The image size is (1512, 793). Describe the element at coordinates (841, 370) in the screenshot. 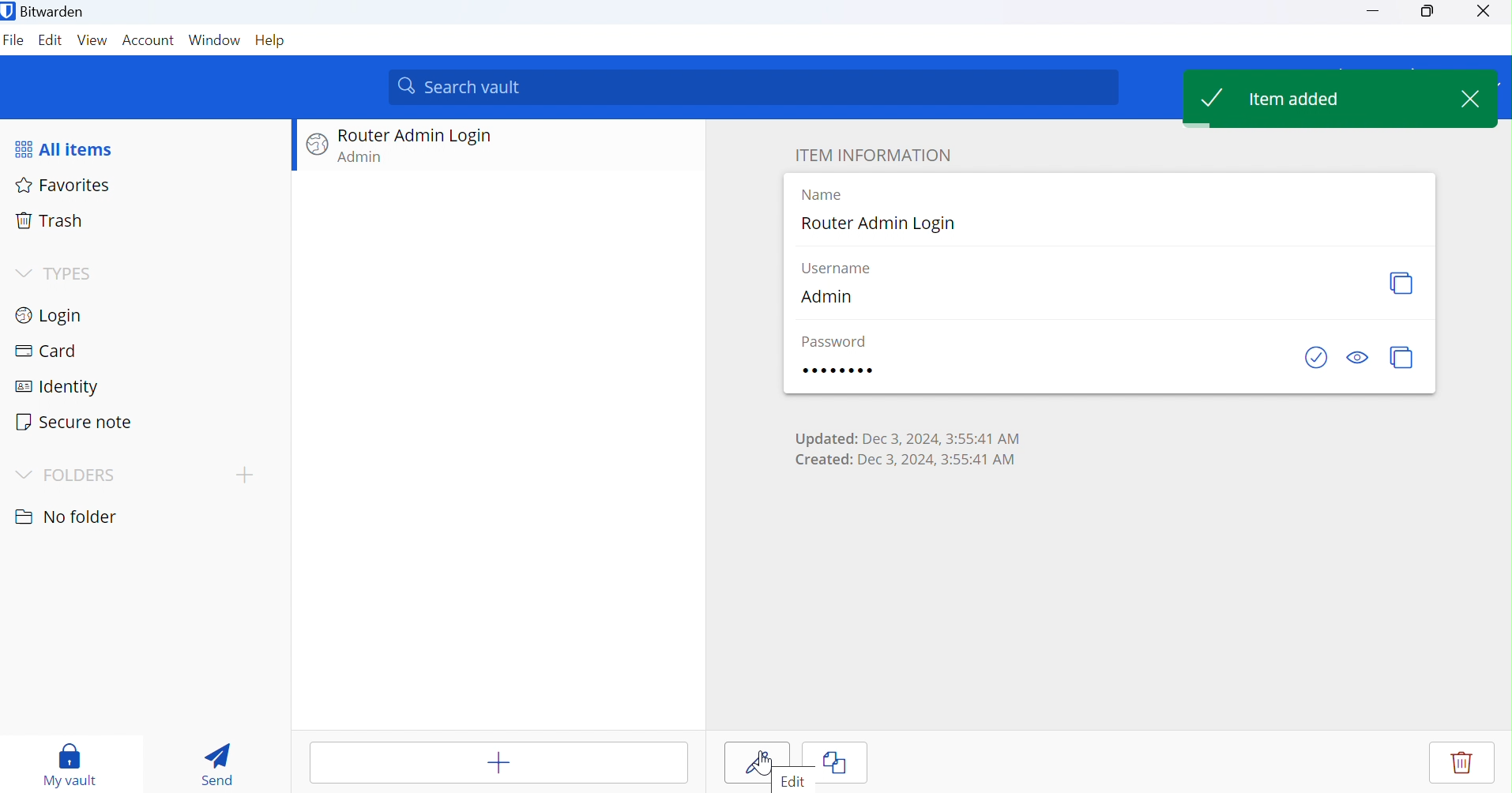

I see `Password` at that location.